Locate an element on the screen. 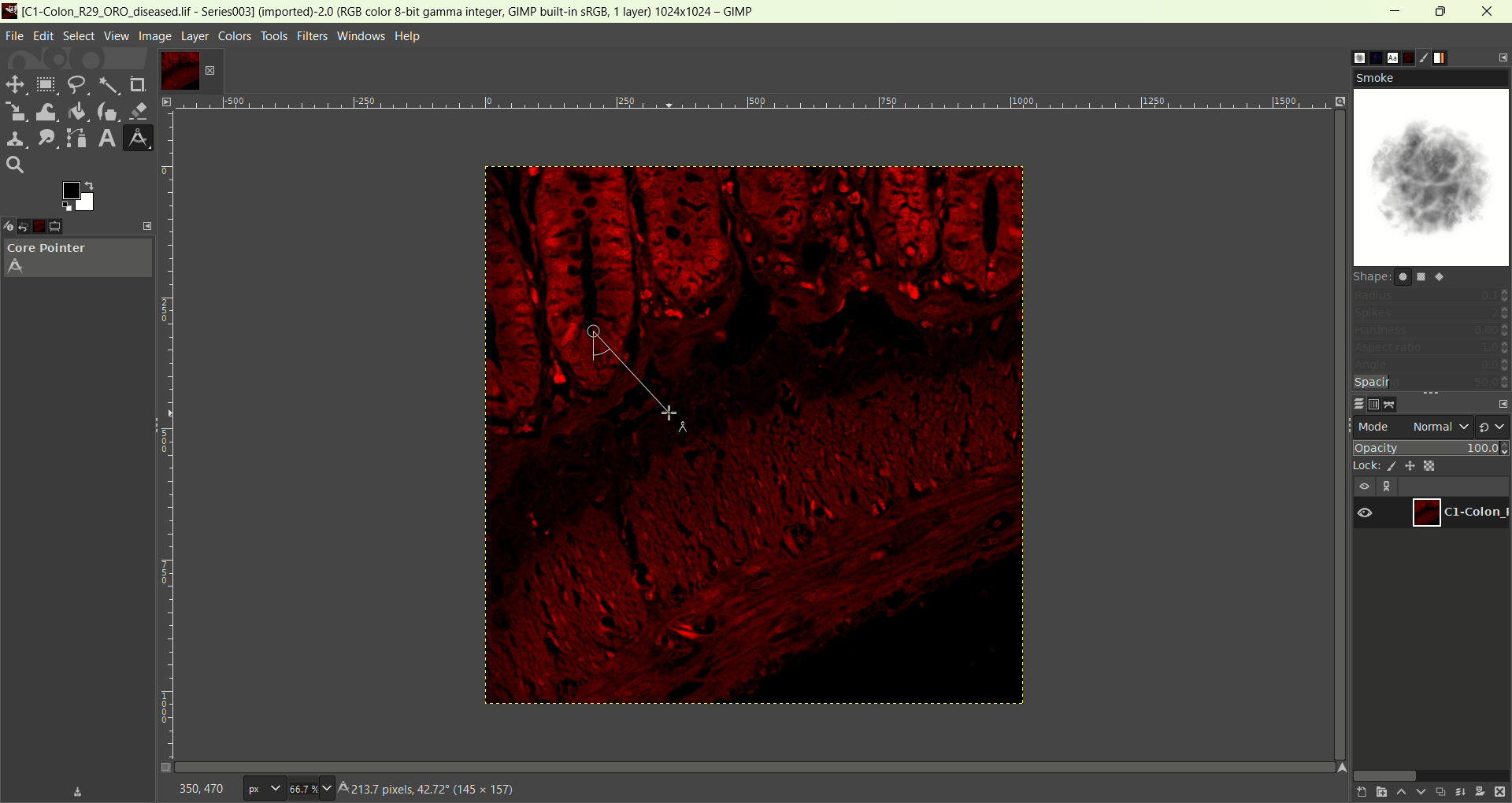 The width and height of the screenshot is (1512, 803). undo history is located at coordinates (29, 228).